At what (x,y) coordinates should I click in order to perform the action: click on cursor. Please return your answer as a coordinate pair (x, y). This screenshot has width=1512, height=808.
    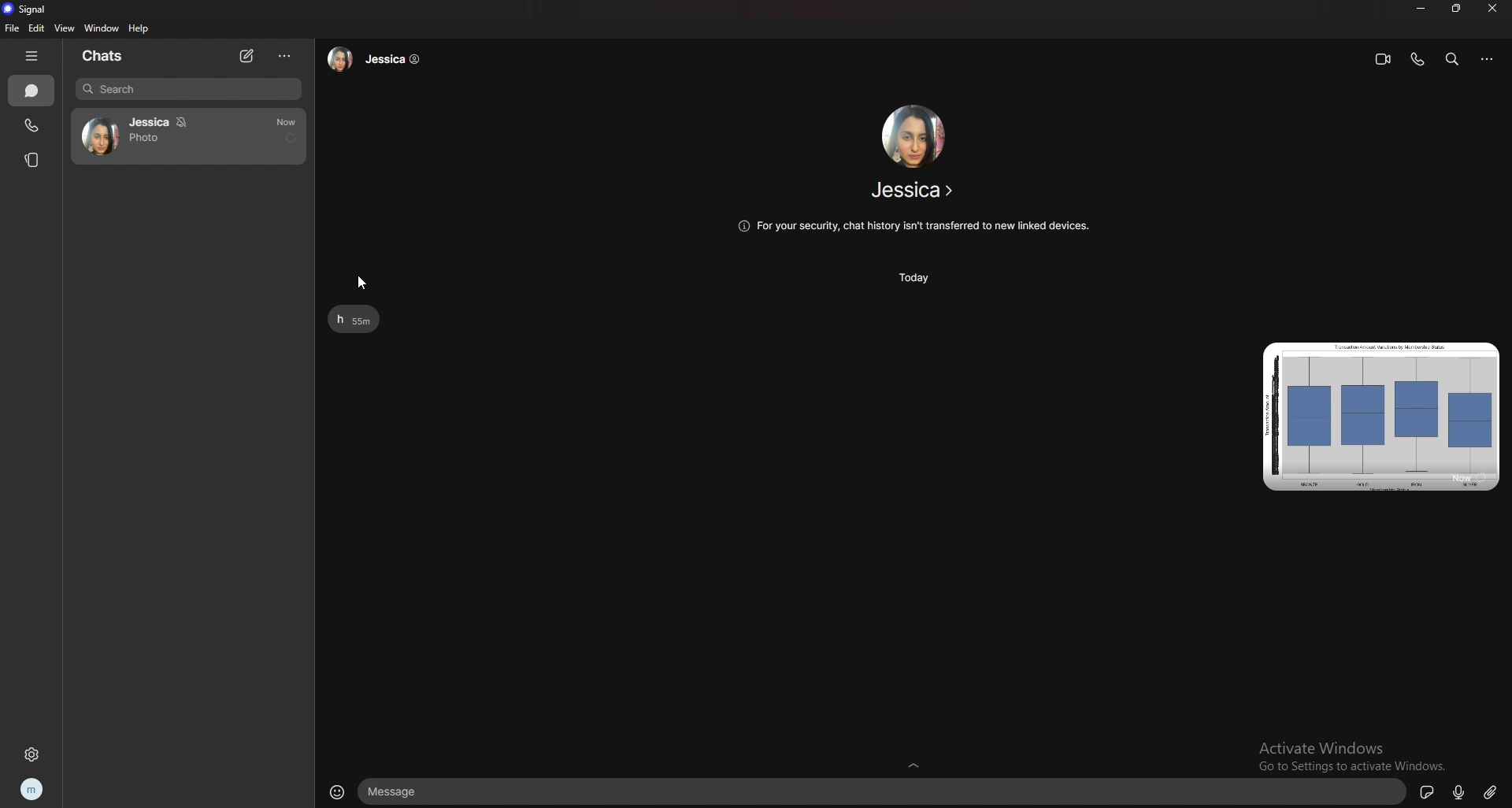
    Looking at the image, I should click on (361, 282).